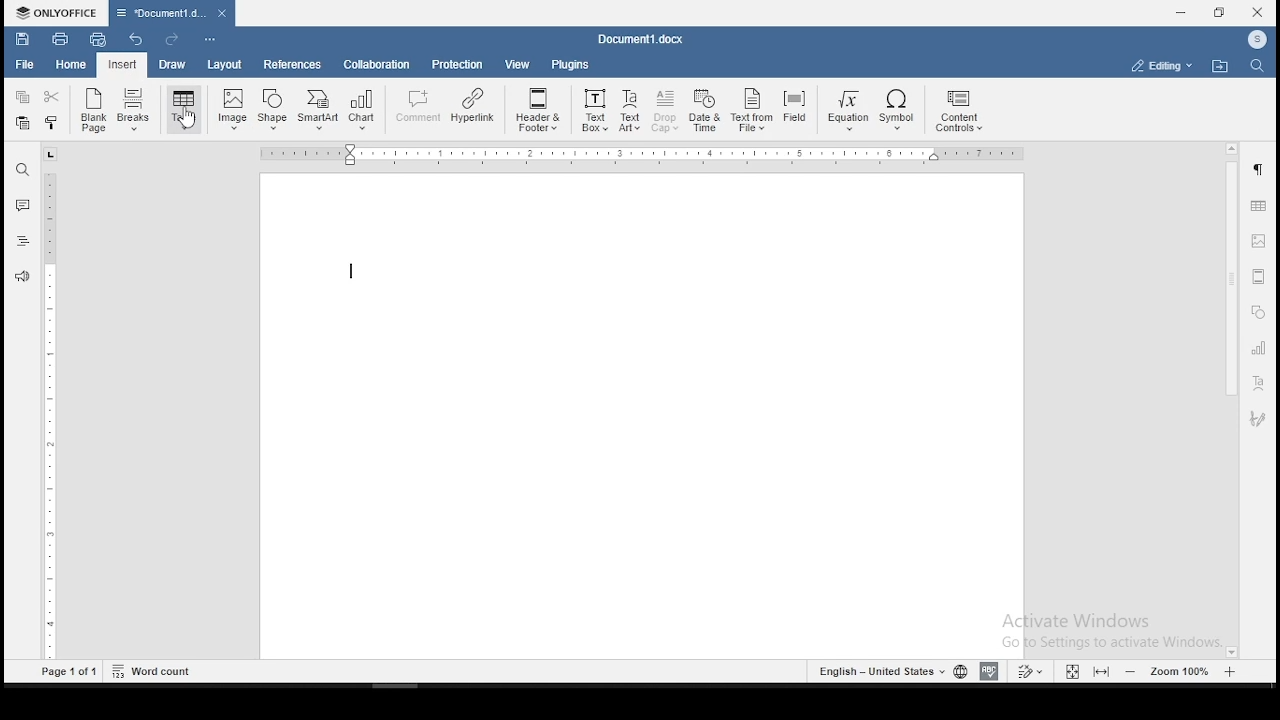  Describe the element at coordinates (27, 66) in the screenshot. I see `file` at that location.